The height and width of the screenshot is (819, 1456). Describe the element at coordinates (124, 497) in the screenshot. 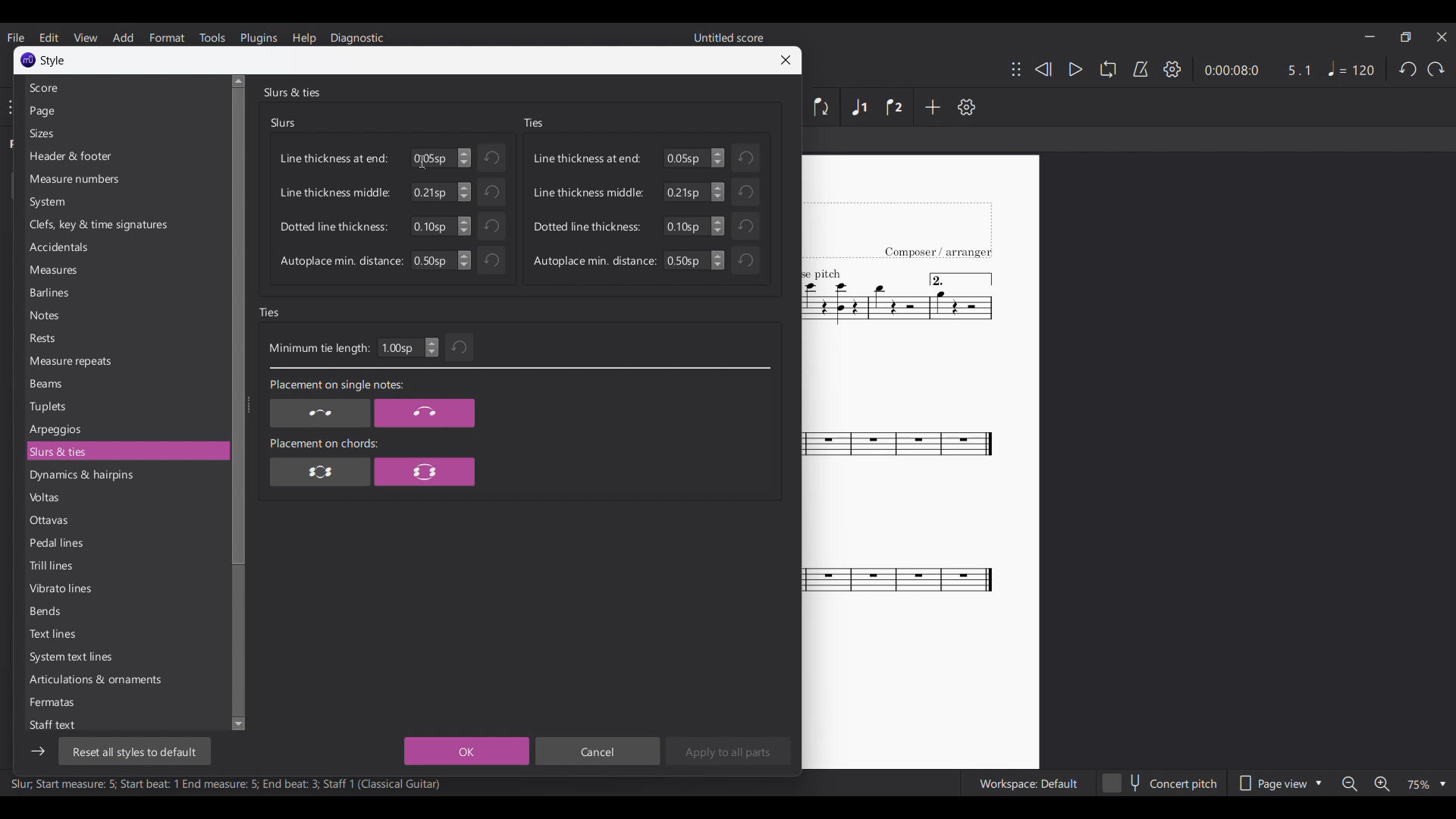

I see `Voltas` at that location.